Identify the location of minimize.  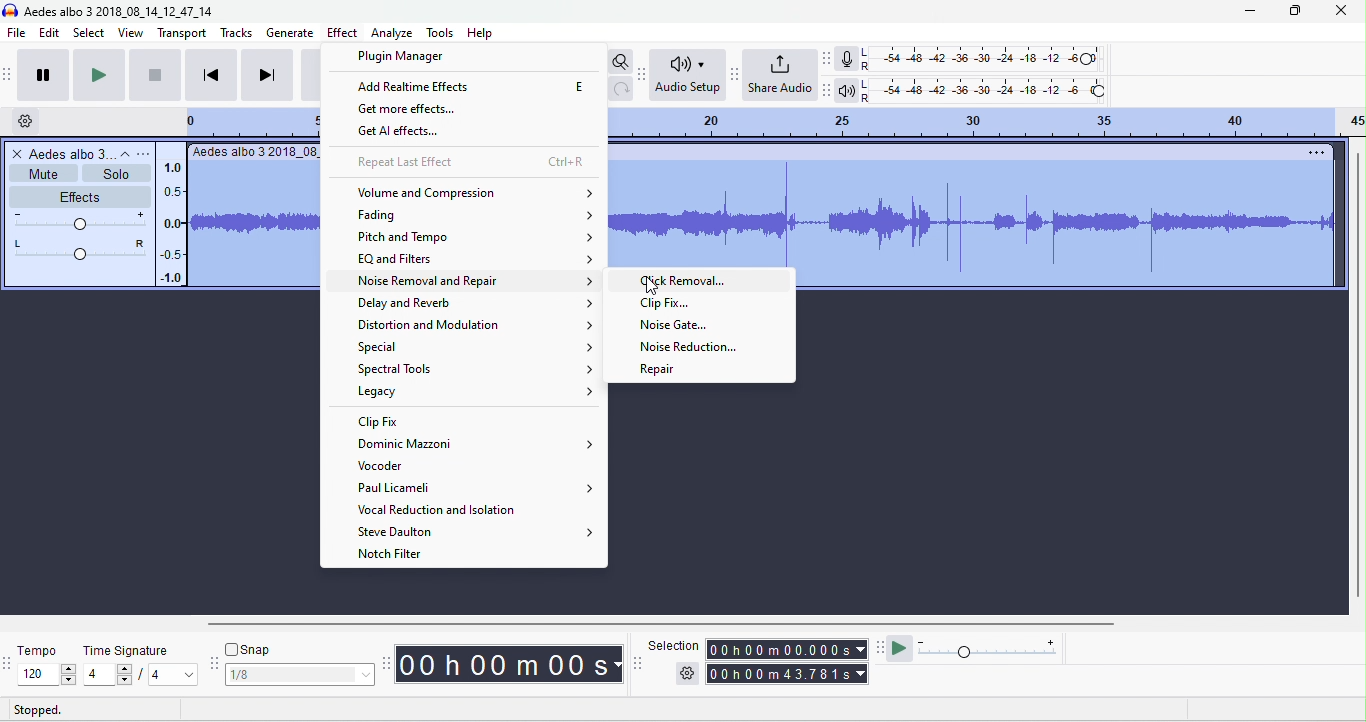
(1249, 11).